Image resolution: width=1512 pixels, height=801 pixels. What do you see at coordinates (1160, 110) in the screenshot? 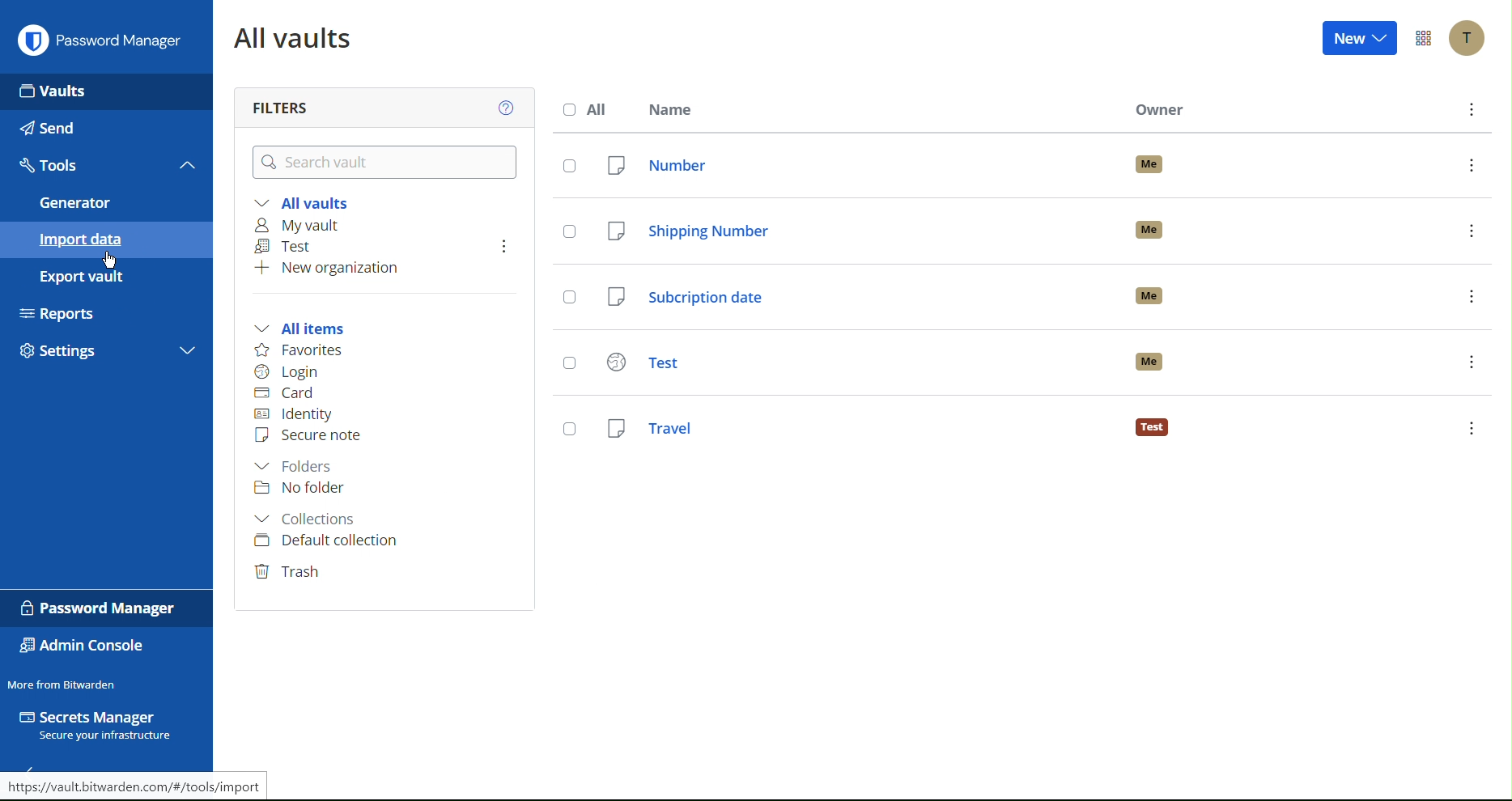
I see `Owner` at bounding box center [1160, 110].